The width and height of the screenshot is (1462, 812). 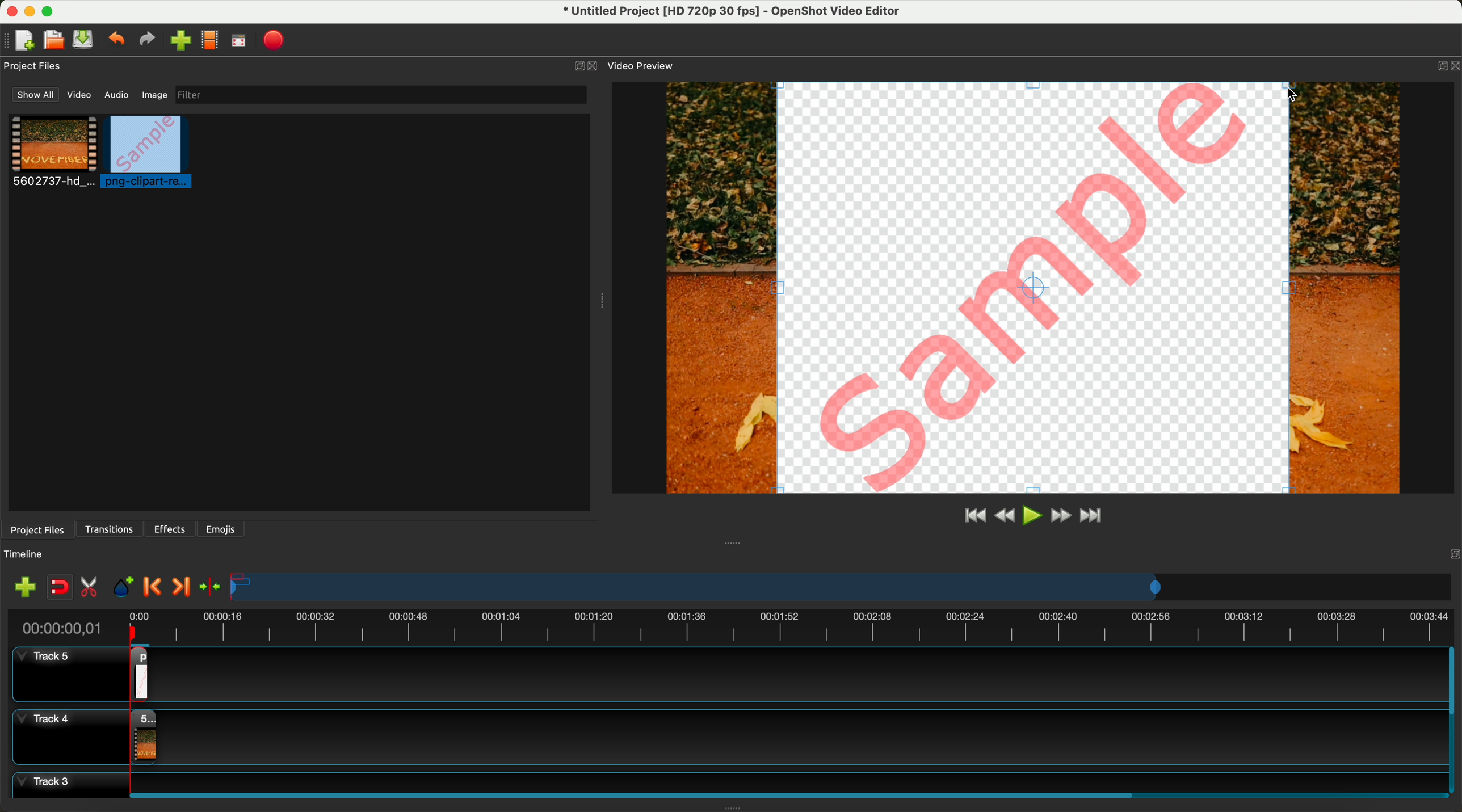 What do you see at coordinates (599, 302) in the screenshot?
I see `Window Expanding` at bounding box center [599, 302].